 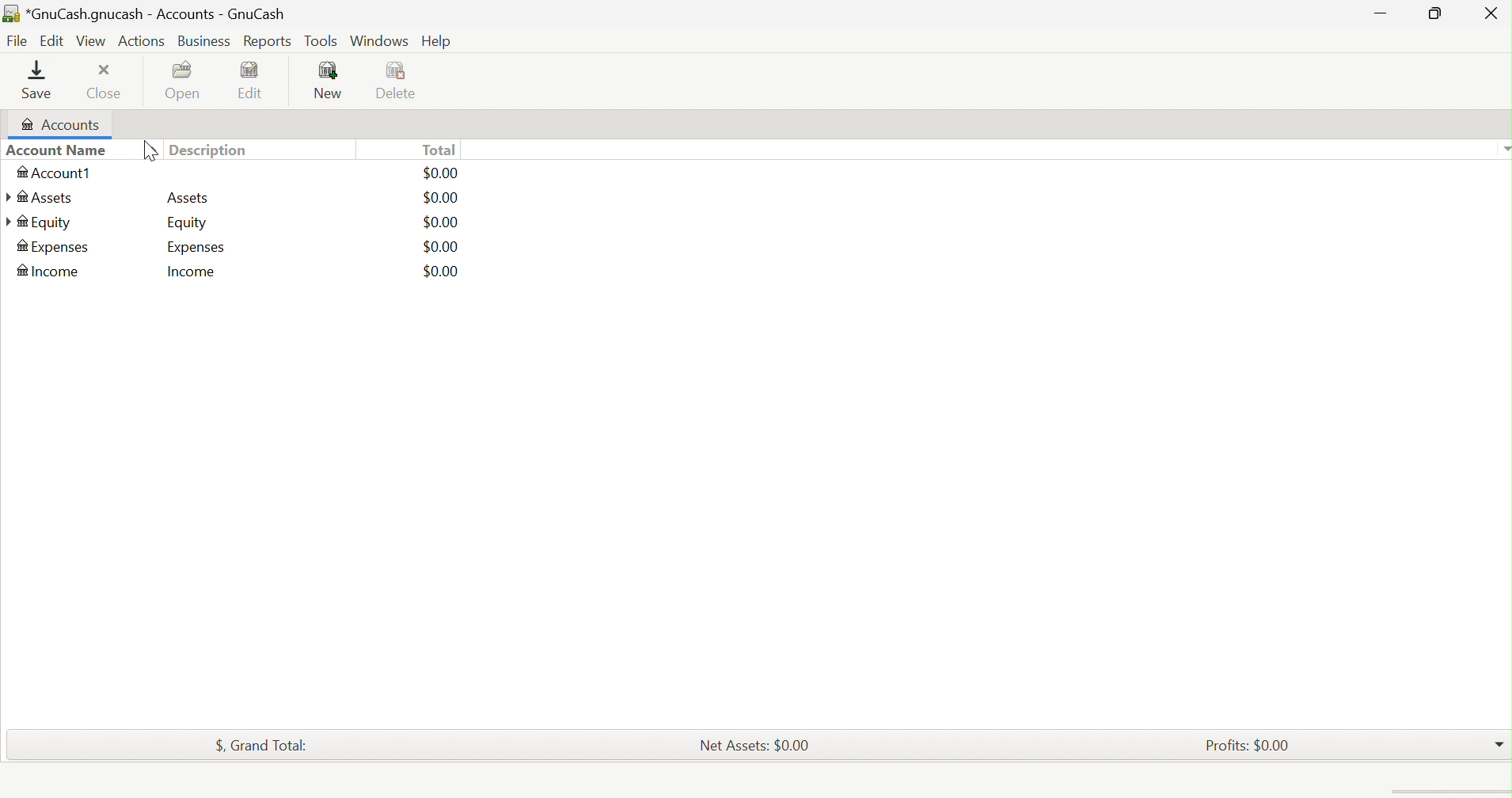 What do you see at coordinates (441, 173) in the screenshot?
I see `$0.00` at bounding box center [441, 173].